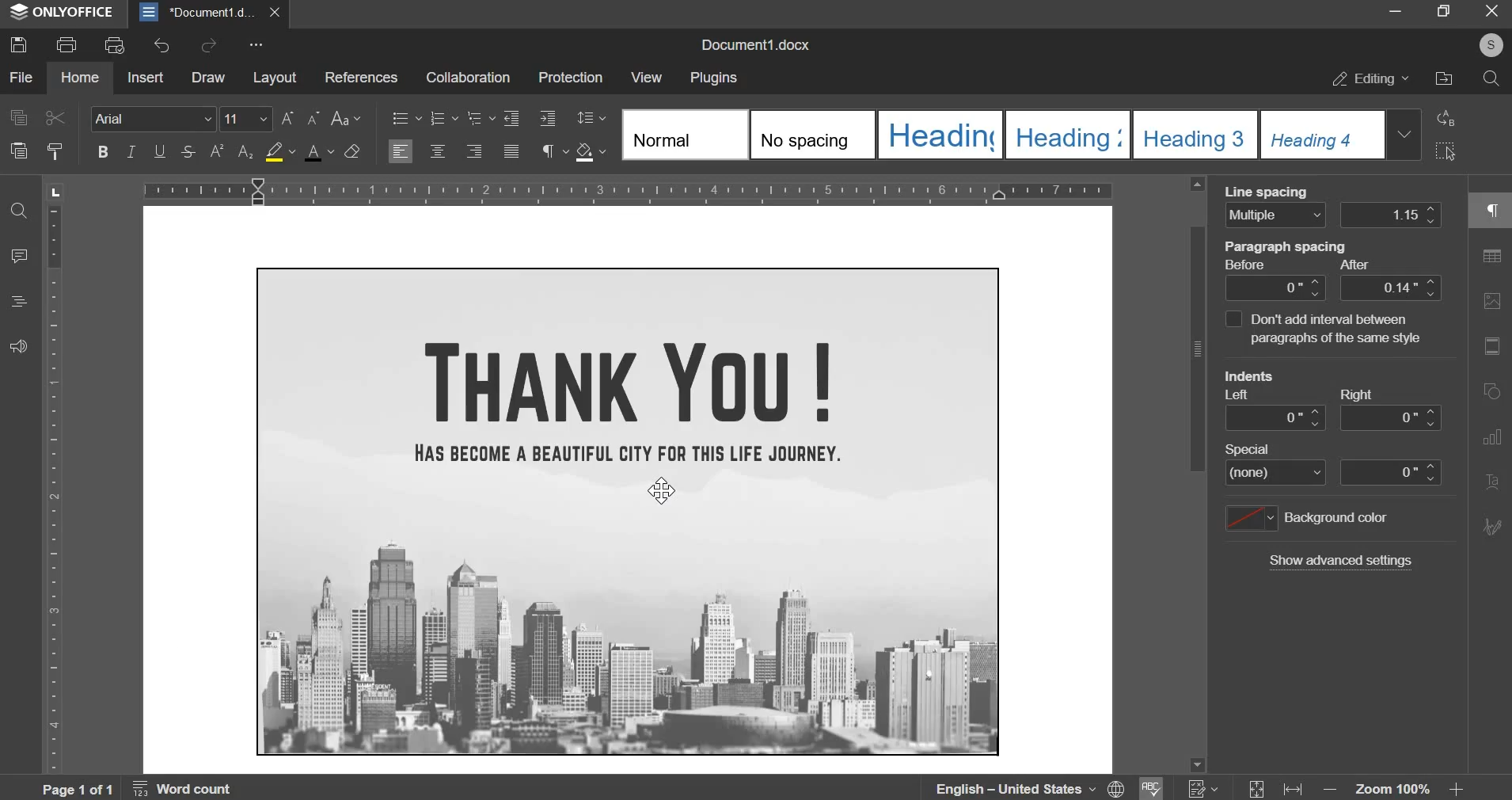  I want to click on subscript, so click(247, 151).